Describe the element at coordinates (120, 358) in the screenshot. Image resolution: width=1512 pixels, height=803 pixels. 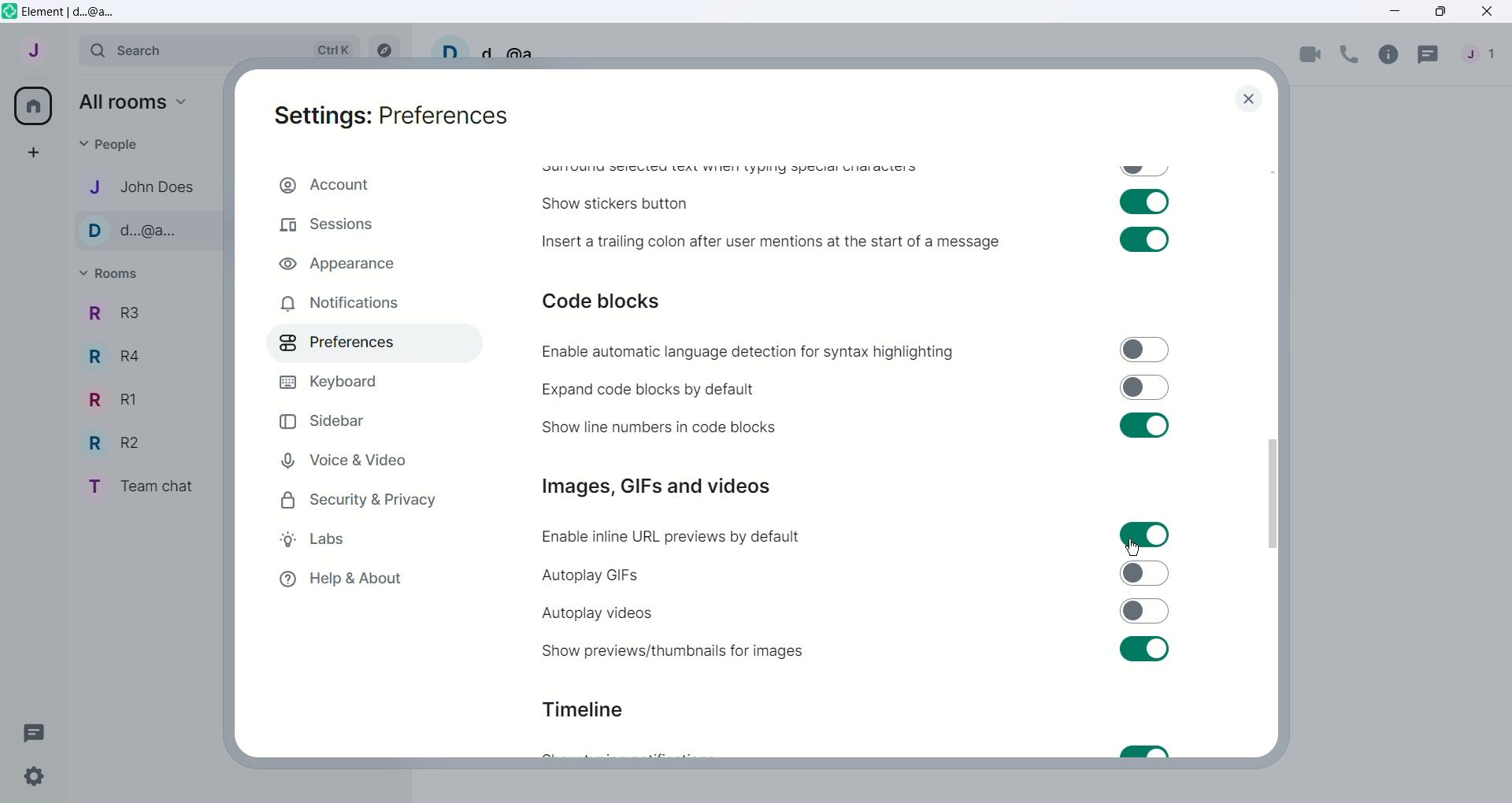
I see `R4 - Room Name` at that location.